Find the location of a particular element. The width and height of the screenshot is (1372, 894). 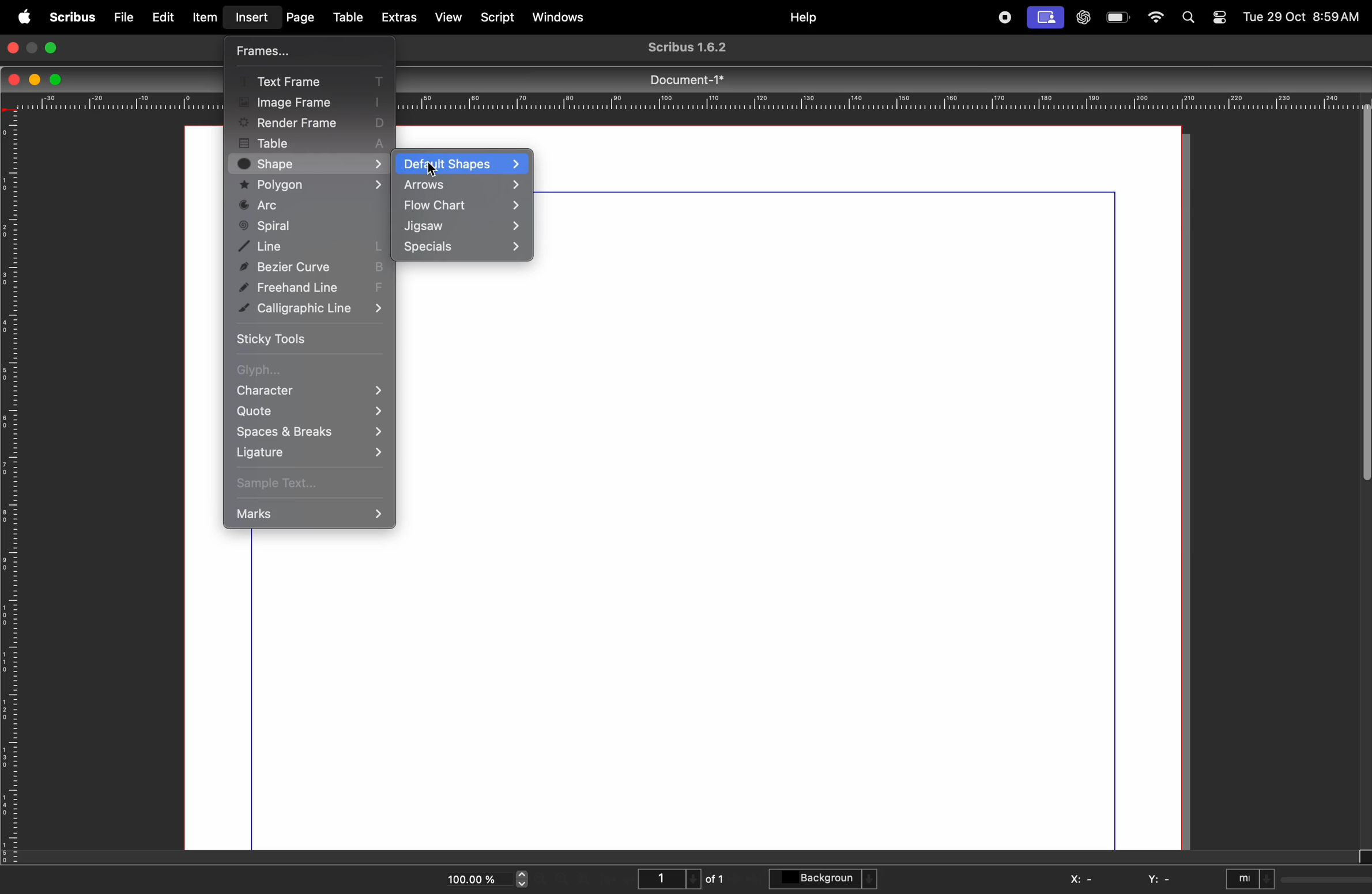

mI is located at coordinates (1250, 877).